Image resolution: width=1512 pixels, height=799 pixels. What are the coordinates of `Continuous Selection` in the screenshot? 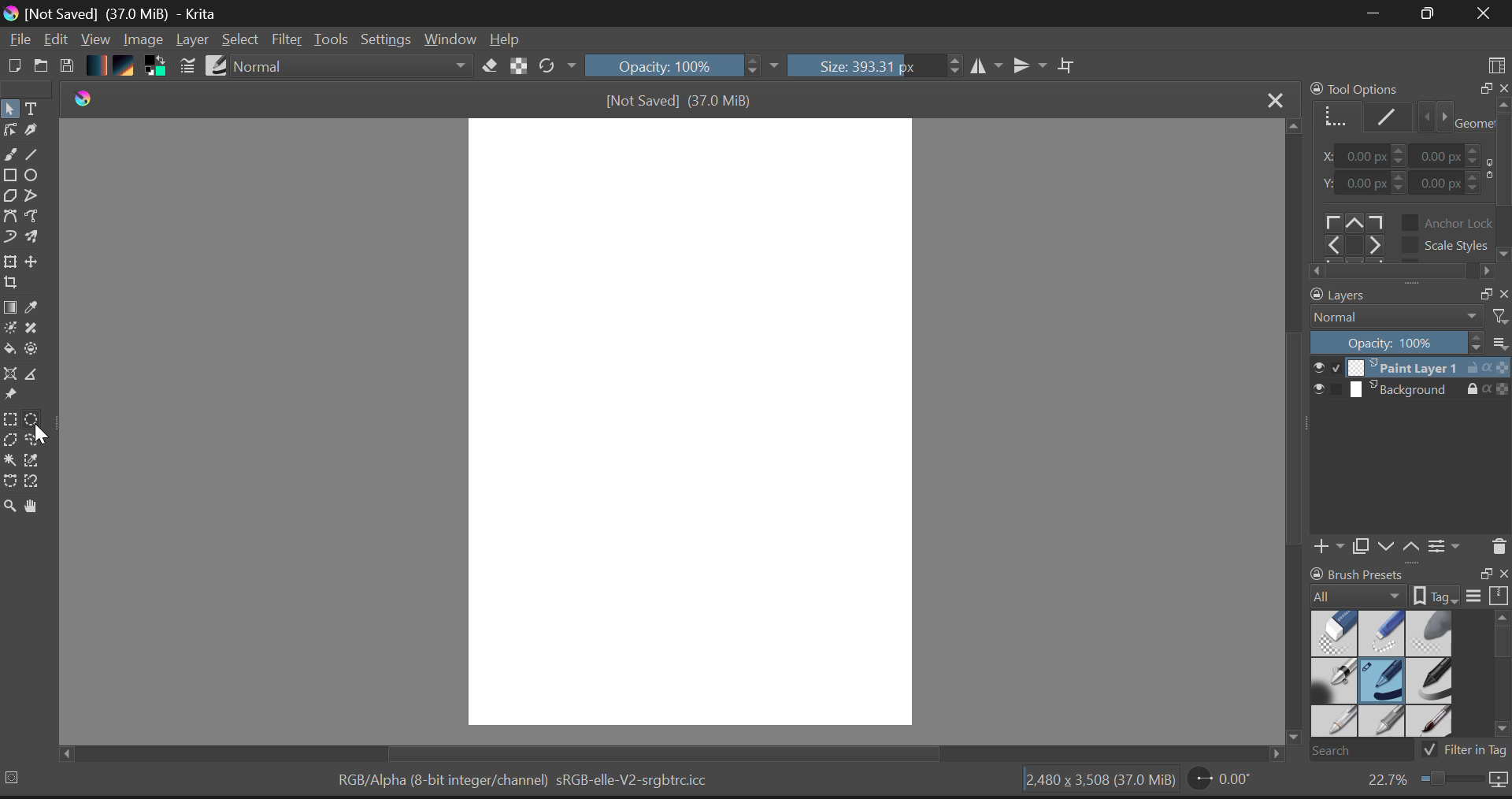 It's located at (13, 461).